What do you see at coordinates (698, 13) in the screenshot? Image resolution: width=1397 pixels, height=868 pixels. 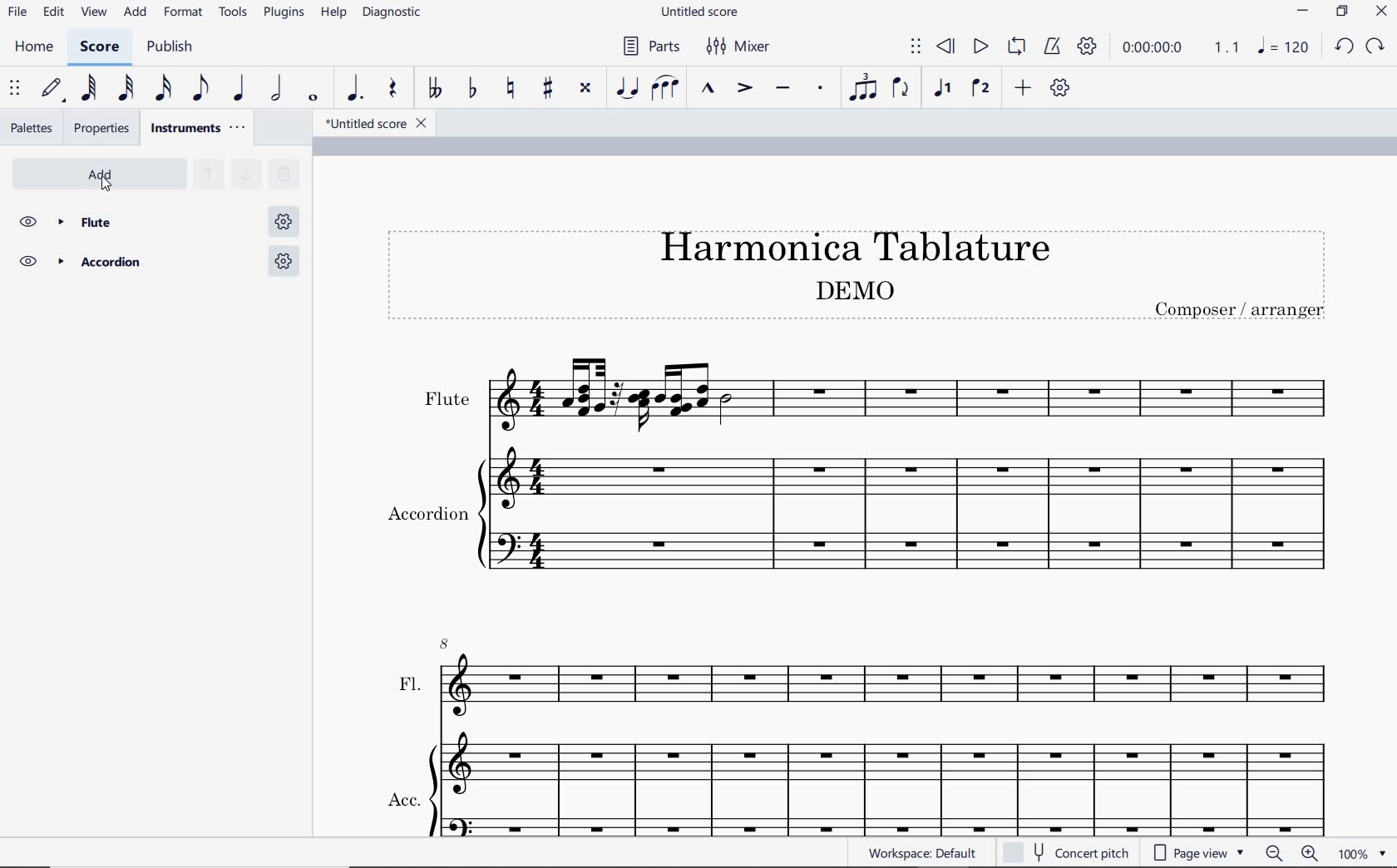 I see `FILE NAME` at bounding box center [698, 13].